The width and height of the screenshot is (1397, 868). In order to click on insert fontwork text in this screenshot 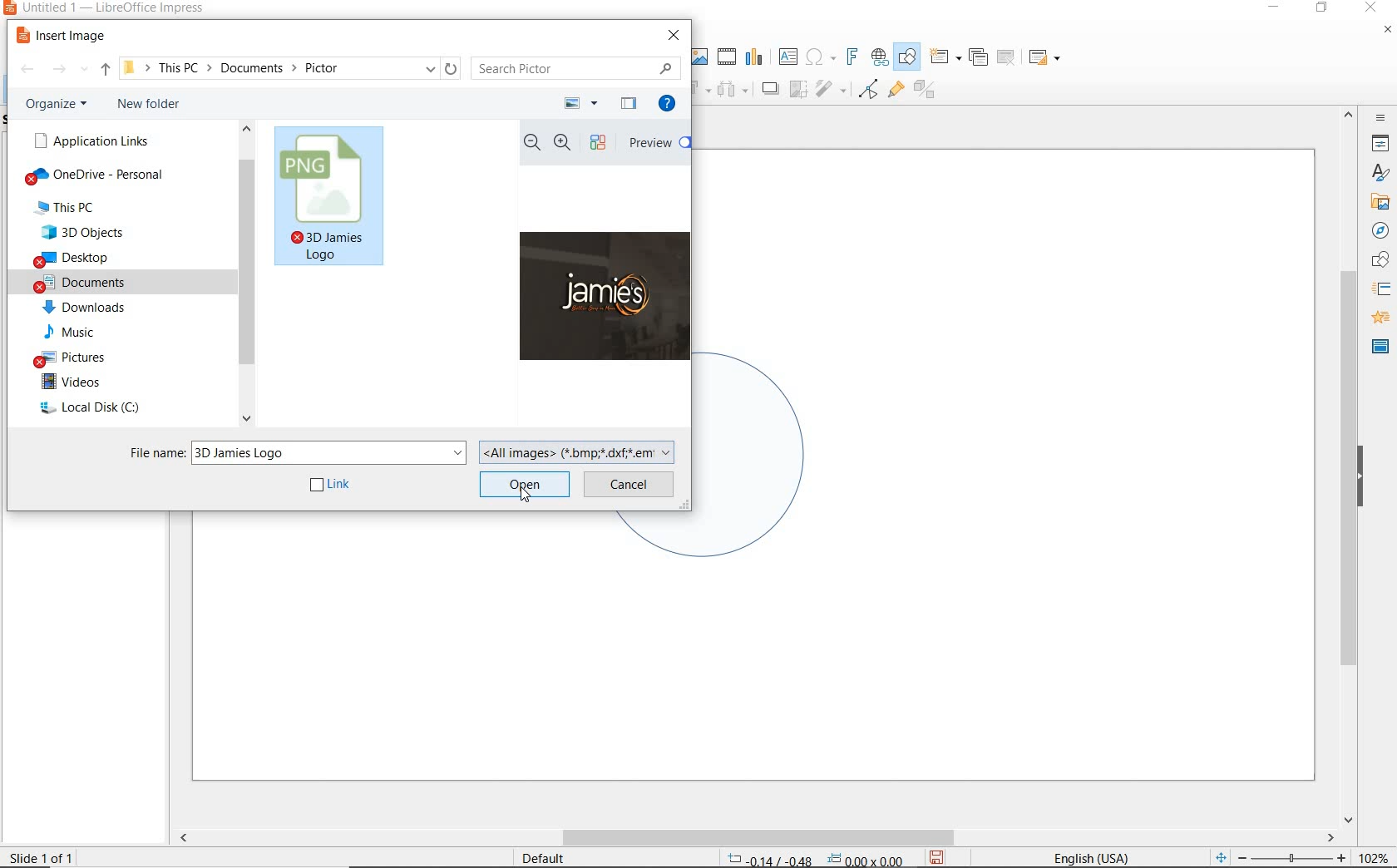, I will do `click(850, 57)`.